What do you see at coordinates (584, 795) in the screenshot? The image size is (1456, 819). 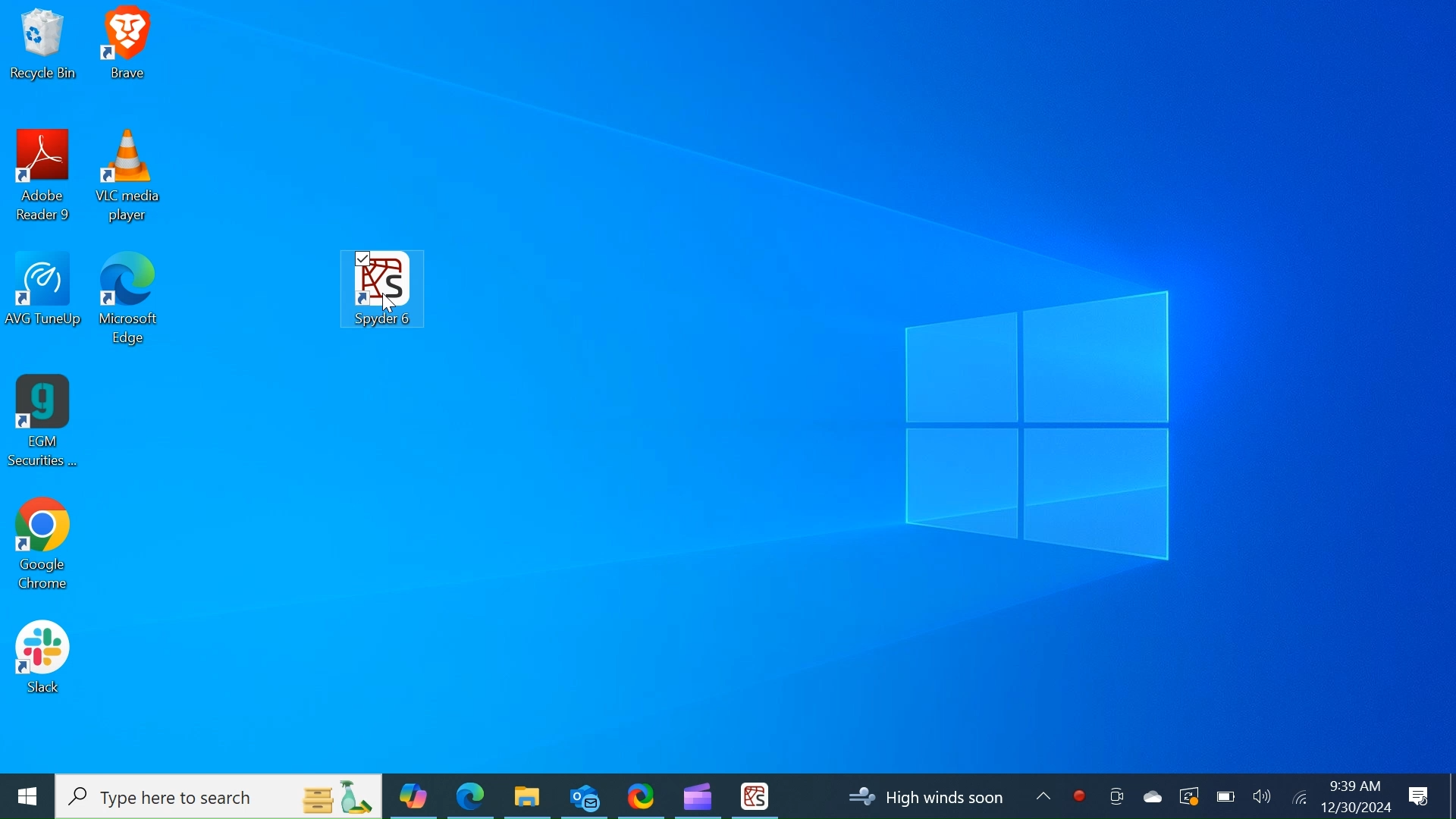 I see `Outlook Desktop Icon` at bounding box center [584, 795].